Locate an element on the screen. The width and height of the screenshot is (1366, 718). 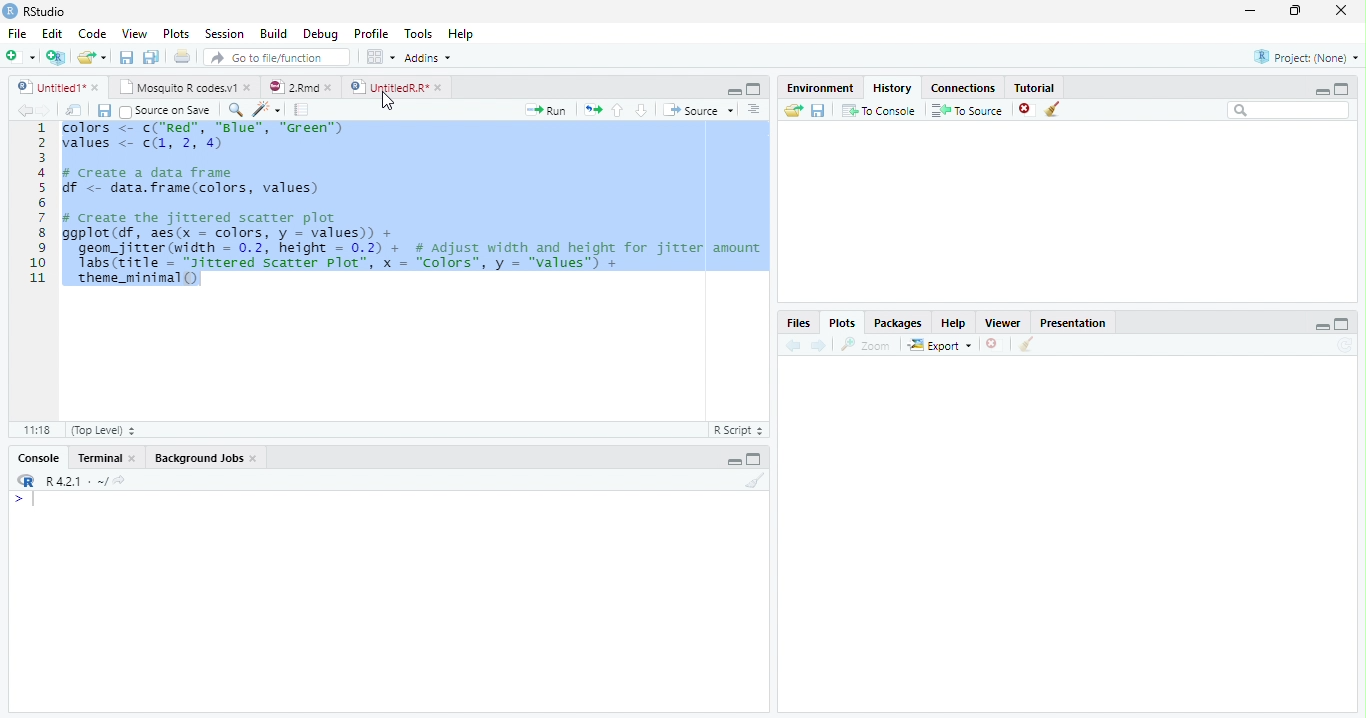
Maximize is located at coordinates (1342, 89).